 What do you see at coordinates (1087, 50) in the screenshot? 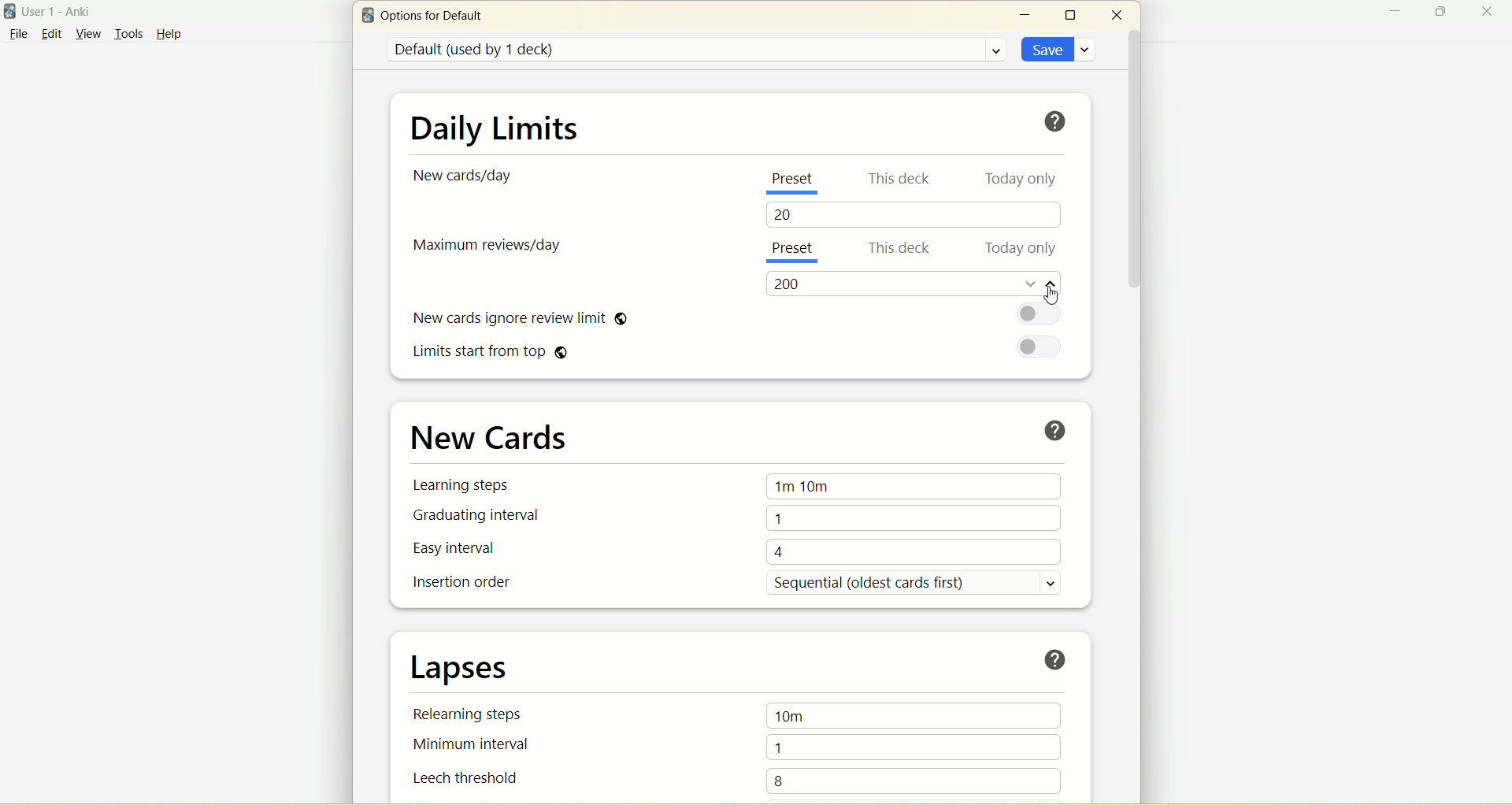
I see `save options` at bounding box center [1087, 50].